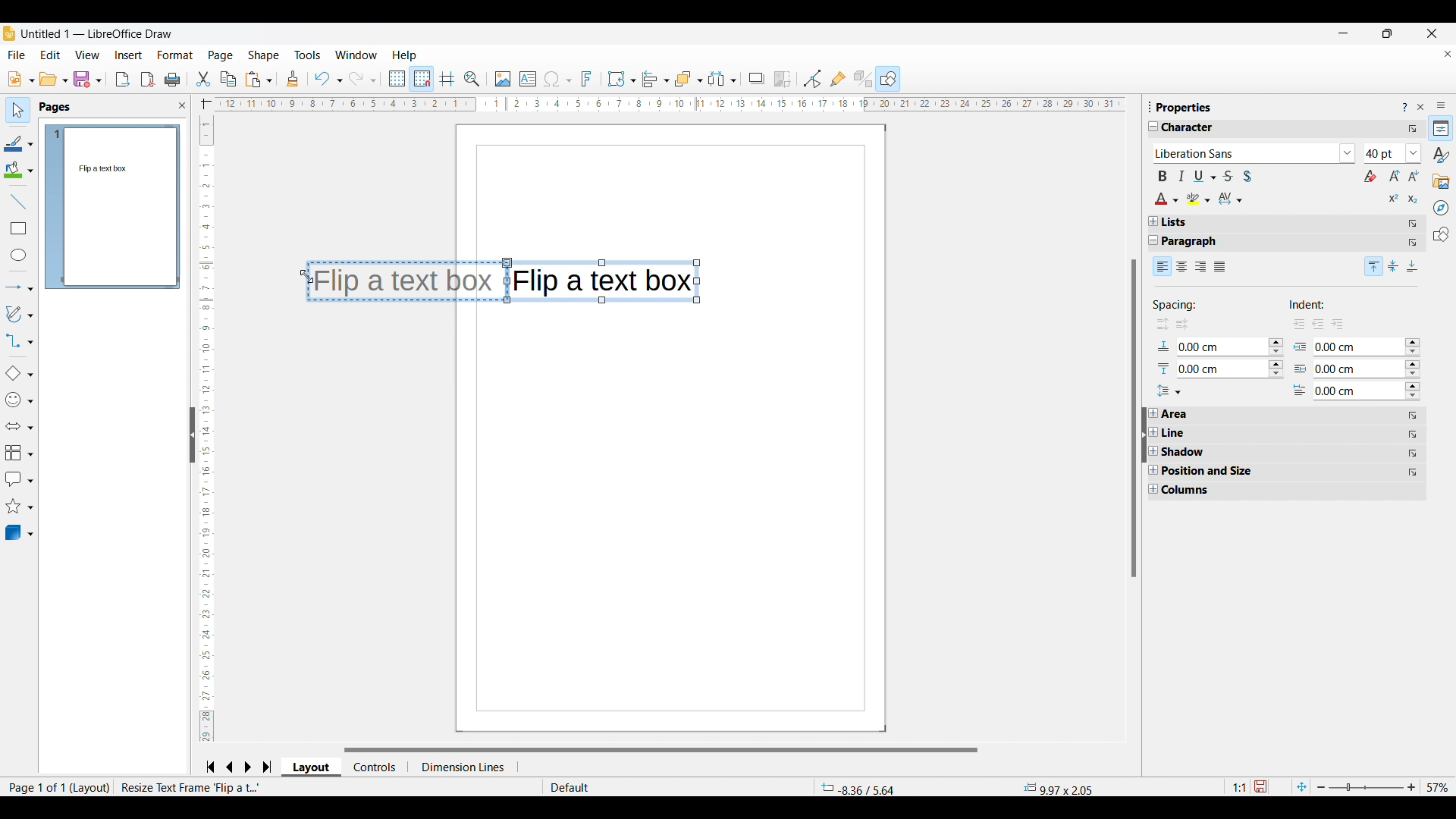  I want to click on Character, so click(1194, 128).